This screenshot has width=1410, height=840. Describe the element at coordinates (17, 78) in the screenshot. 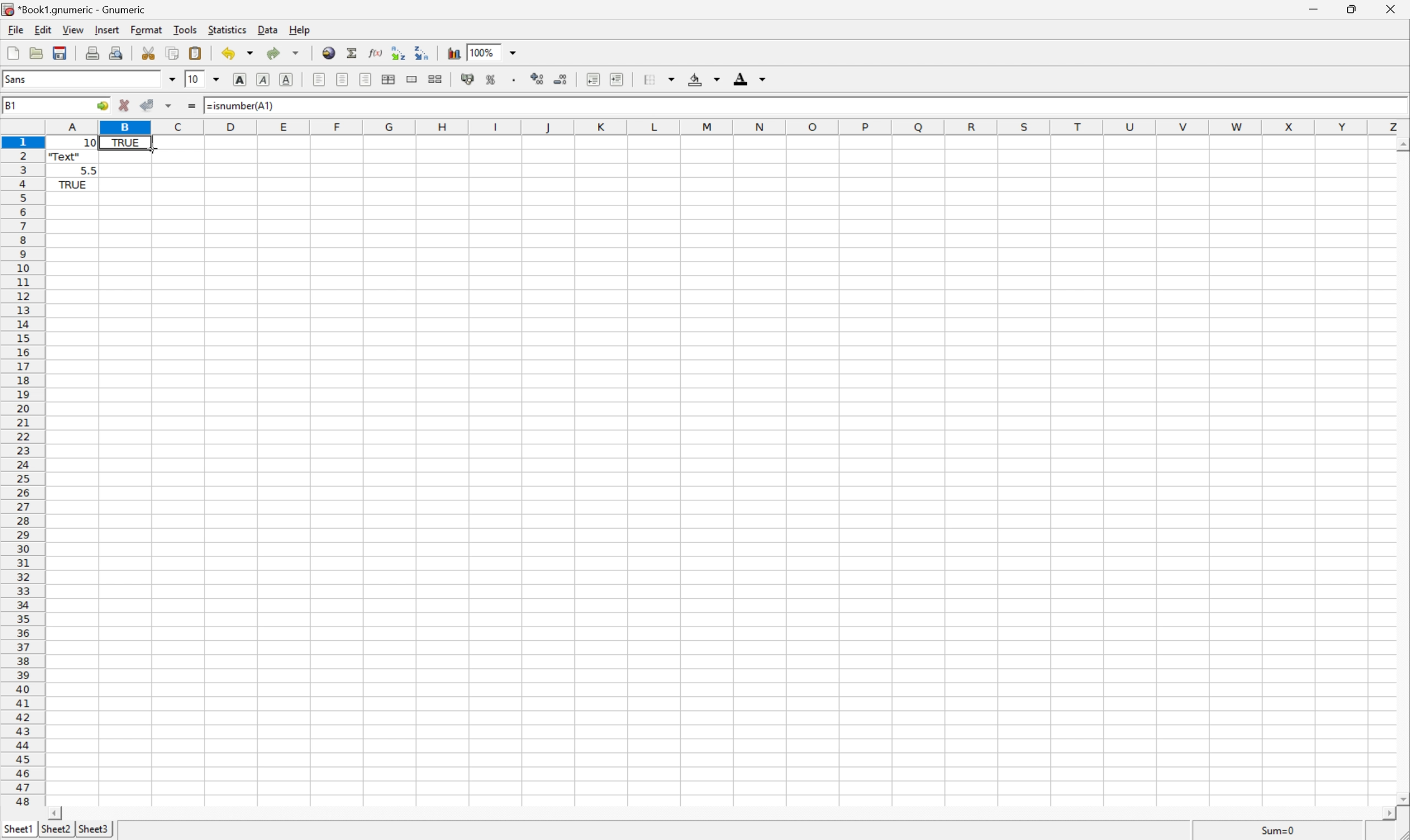

I see `Sans` at that location.